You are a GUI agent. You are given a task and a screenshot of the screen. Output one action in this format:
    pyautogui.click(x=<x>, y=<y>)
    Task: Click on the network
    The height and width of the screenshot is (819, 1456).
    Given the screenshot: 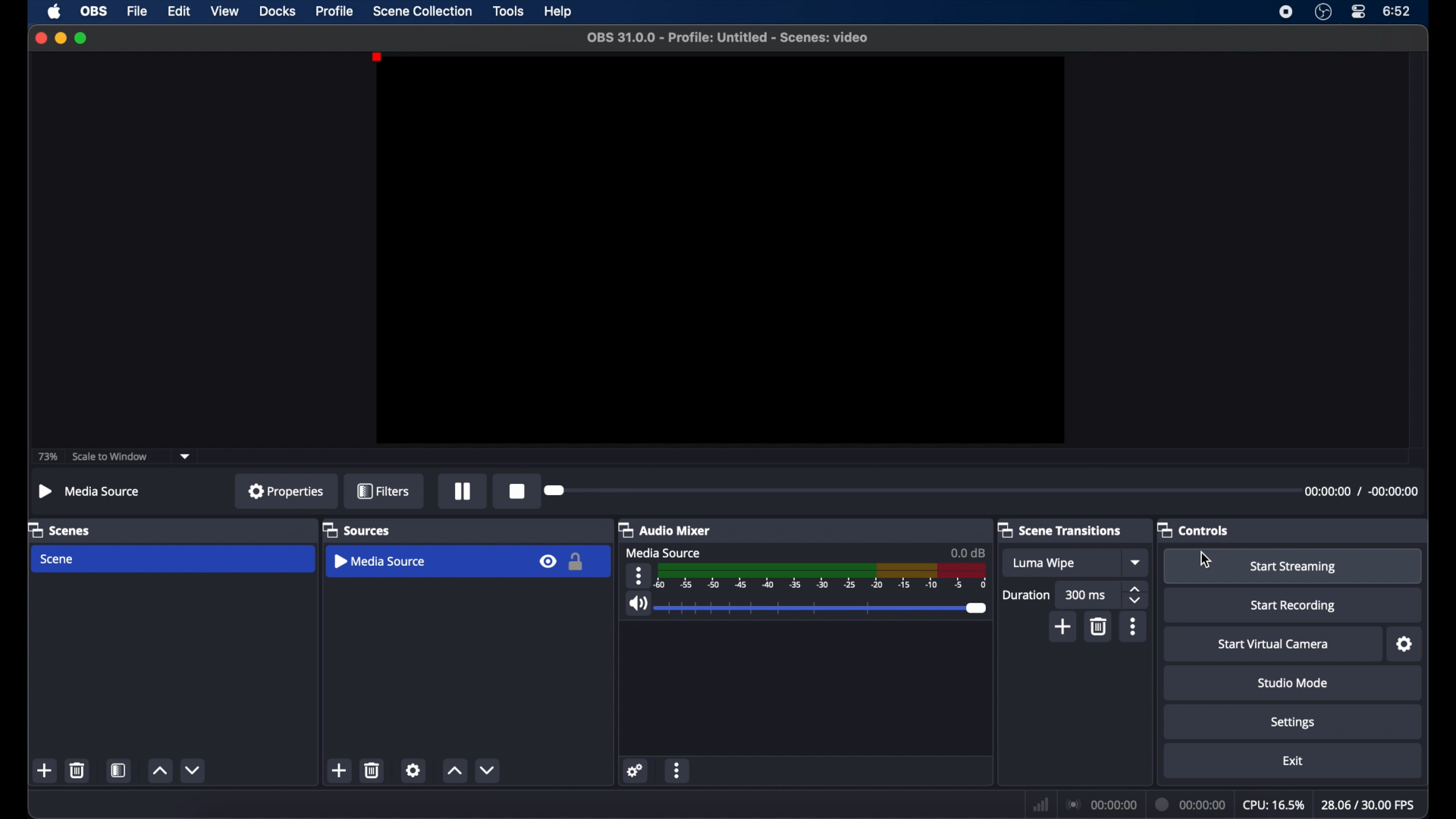 What is the action you would take?
    pyautogui.click(x=1040, y=805)
    